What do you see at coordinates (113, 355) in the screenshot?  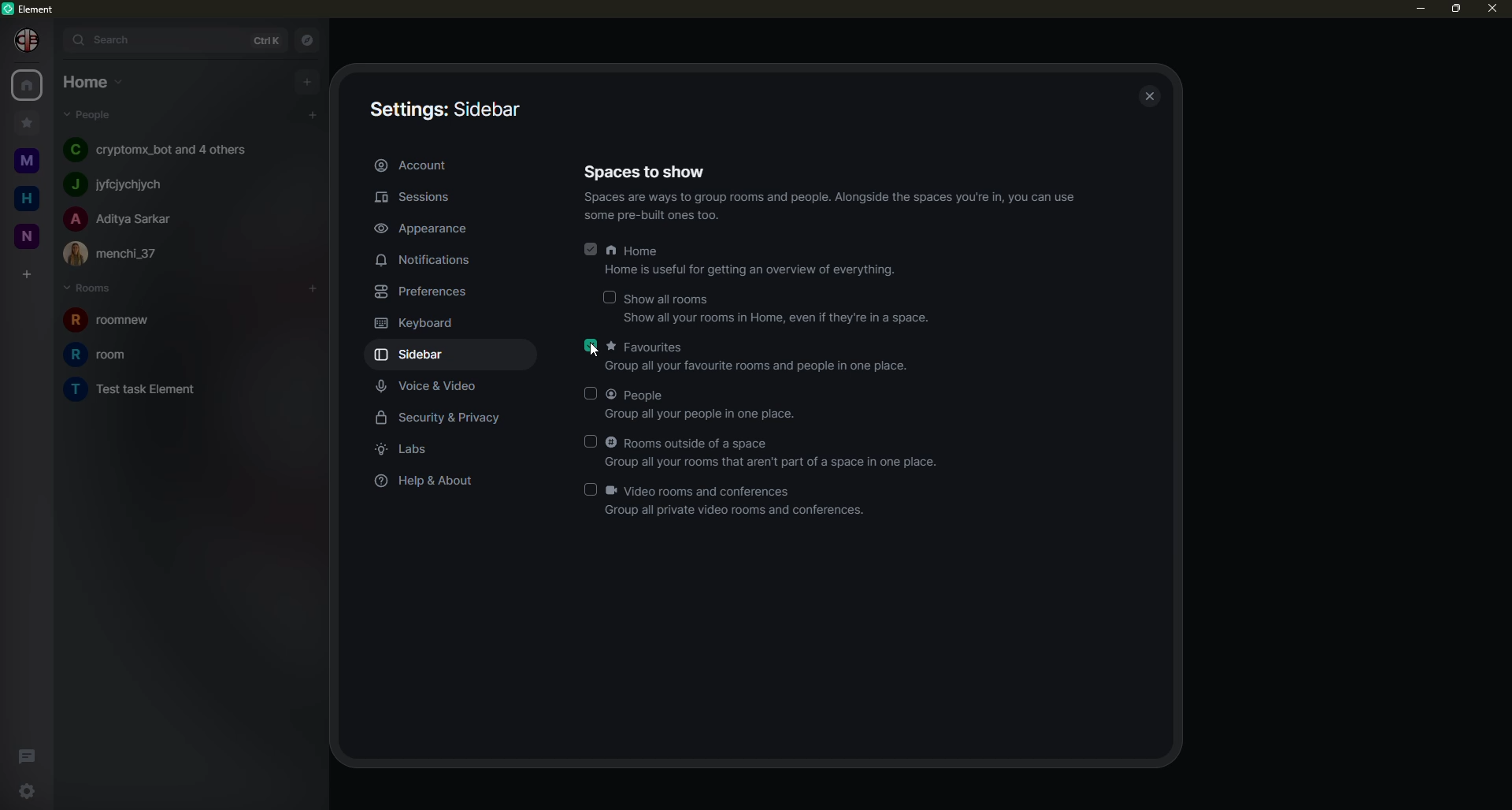 I see `room` at bounding box center [113, 355].